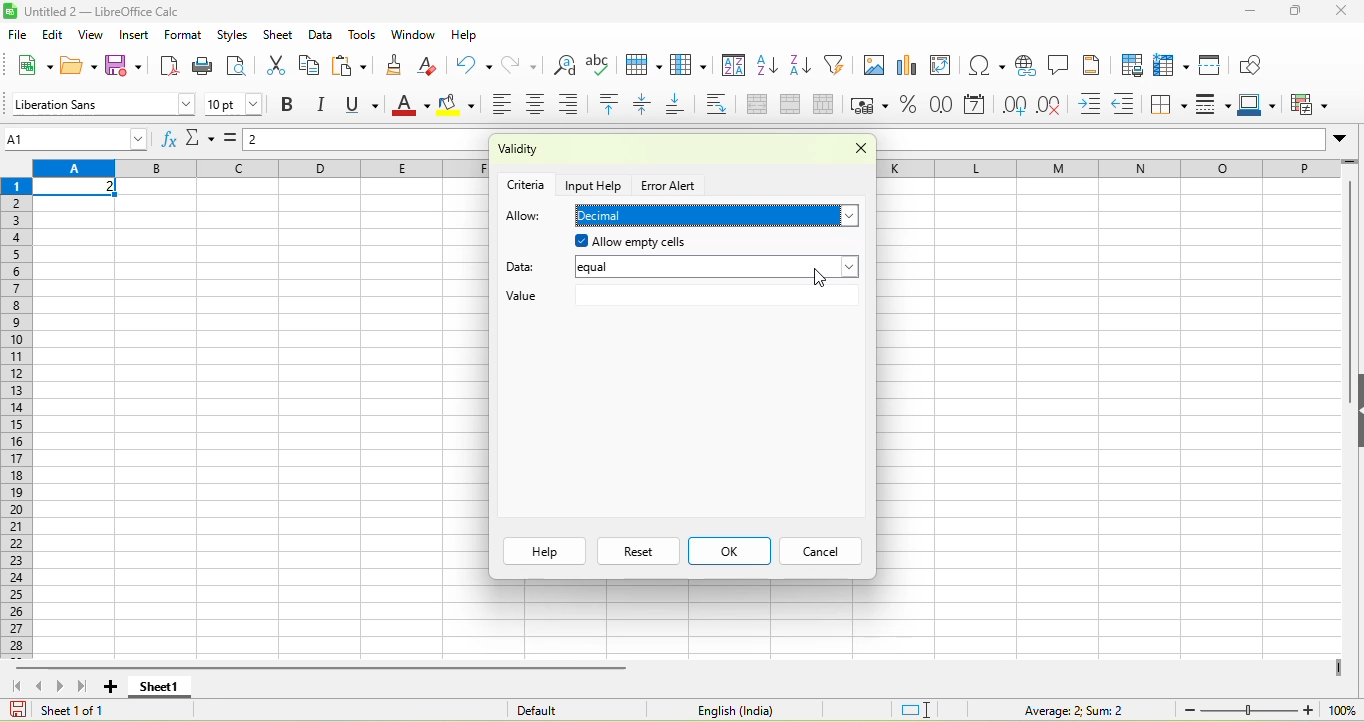  Describe the element at coordinates (432, 66) in the screenshot. I see `clear directly formatting` at that location.